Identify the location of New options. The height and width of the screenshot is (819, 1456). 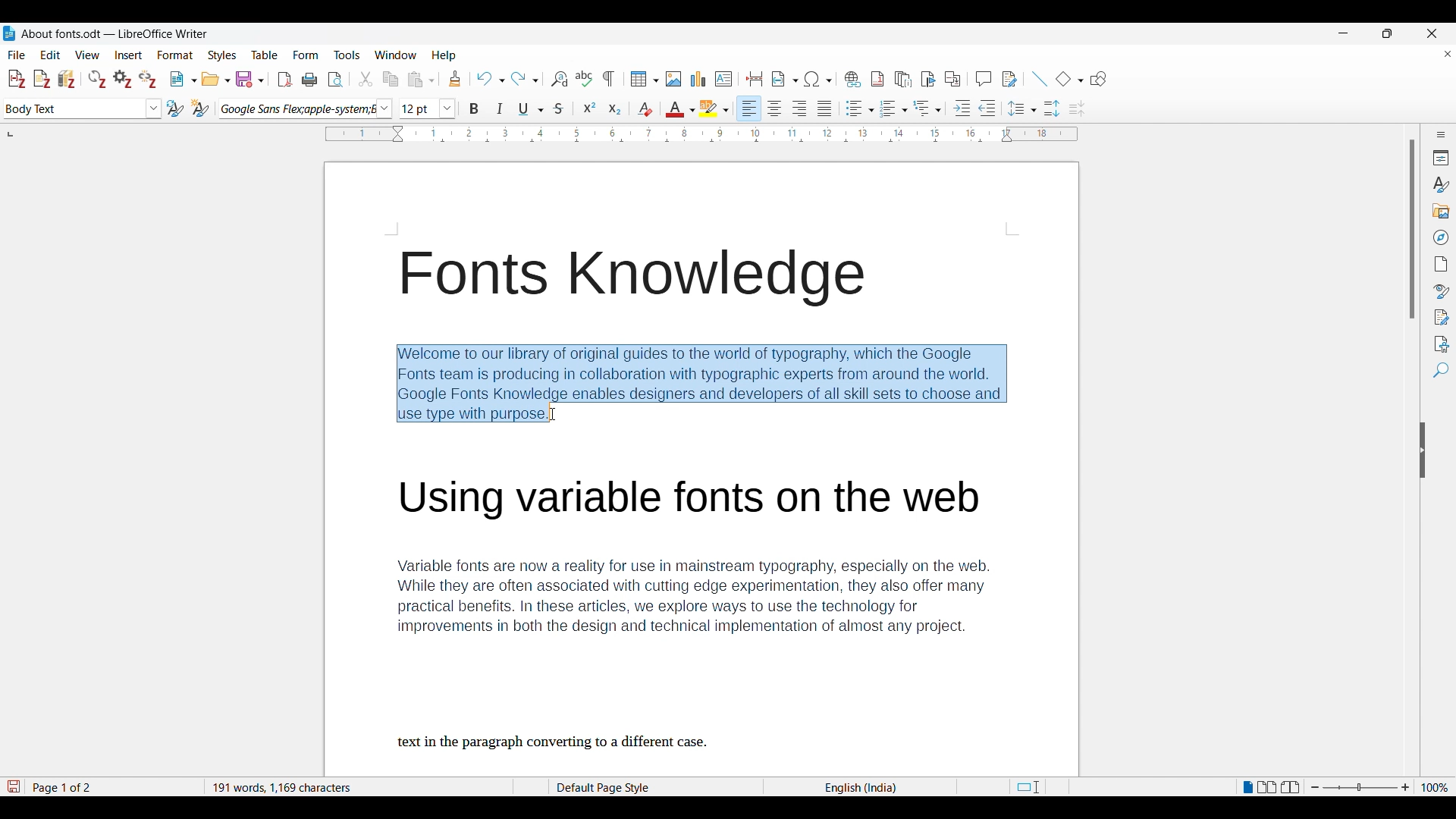
(184, 79).